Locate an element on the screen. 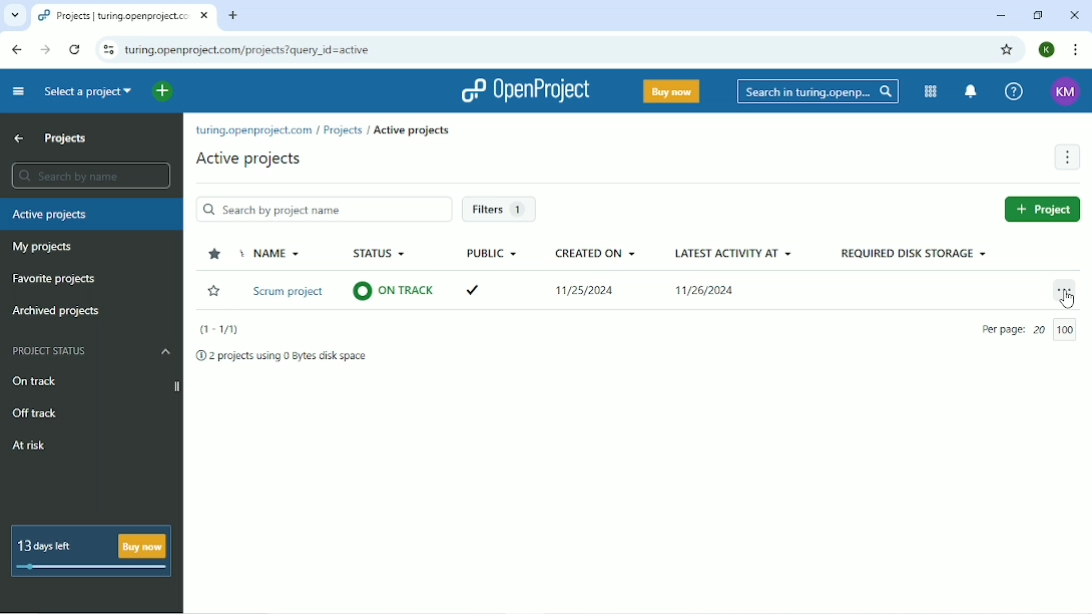 The height and width of the screenshot is (614, 1092). Up is located at coordinates (18, 139).